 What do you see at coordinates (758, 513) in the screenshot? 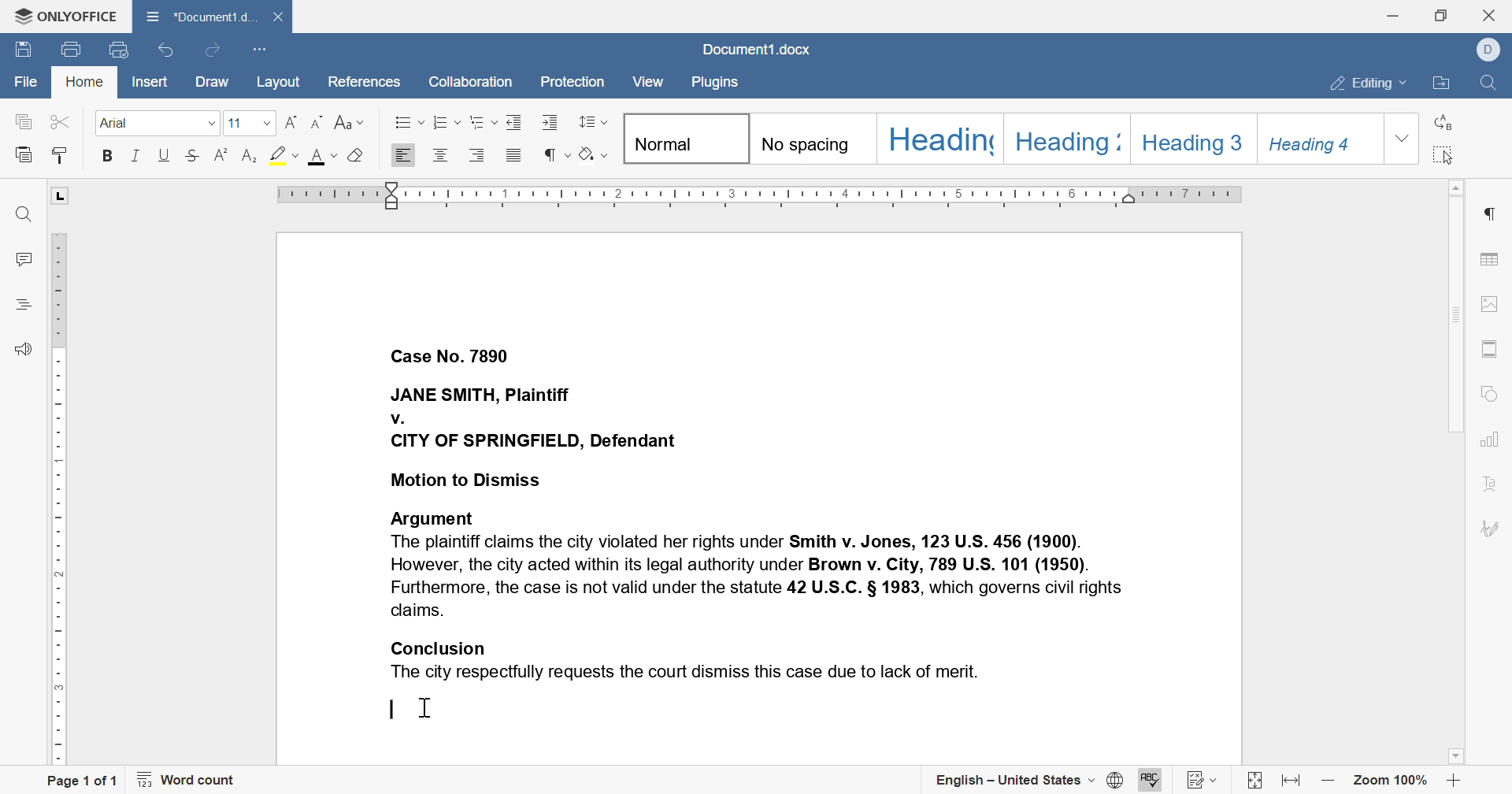
I see `Case No. 7890

JANE SMITH, Plaintiff

v.

CITY OF SPRINGFIELD, Defendant

Motion to Dismiss

Argument

The plaintiff claims the city violated her rights under Smith v. Jones, 123 U.S. 456 (1900).
However, the city acted within its legal authority under Brown v. City, 789 U.S. 101 (1950).
Furthermore, the case is not valid under the statute 42 U.S.C. § 1983, which governs civil rights
claims.

Conclusion

The city respectfully requests the court dismiss this case due to lack of merit.` at bounding box center [758, 513].